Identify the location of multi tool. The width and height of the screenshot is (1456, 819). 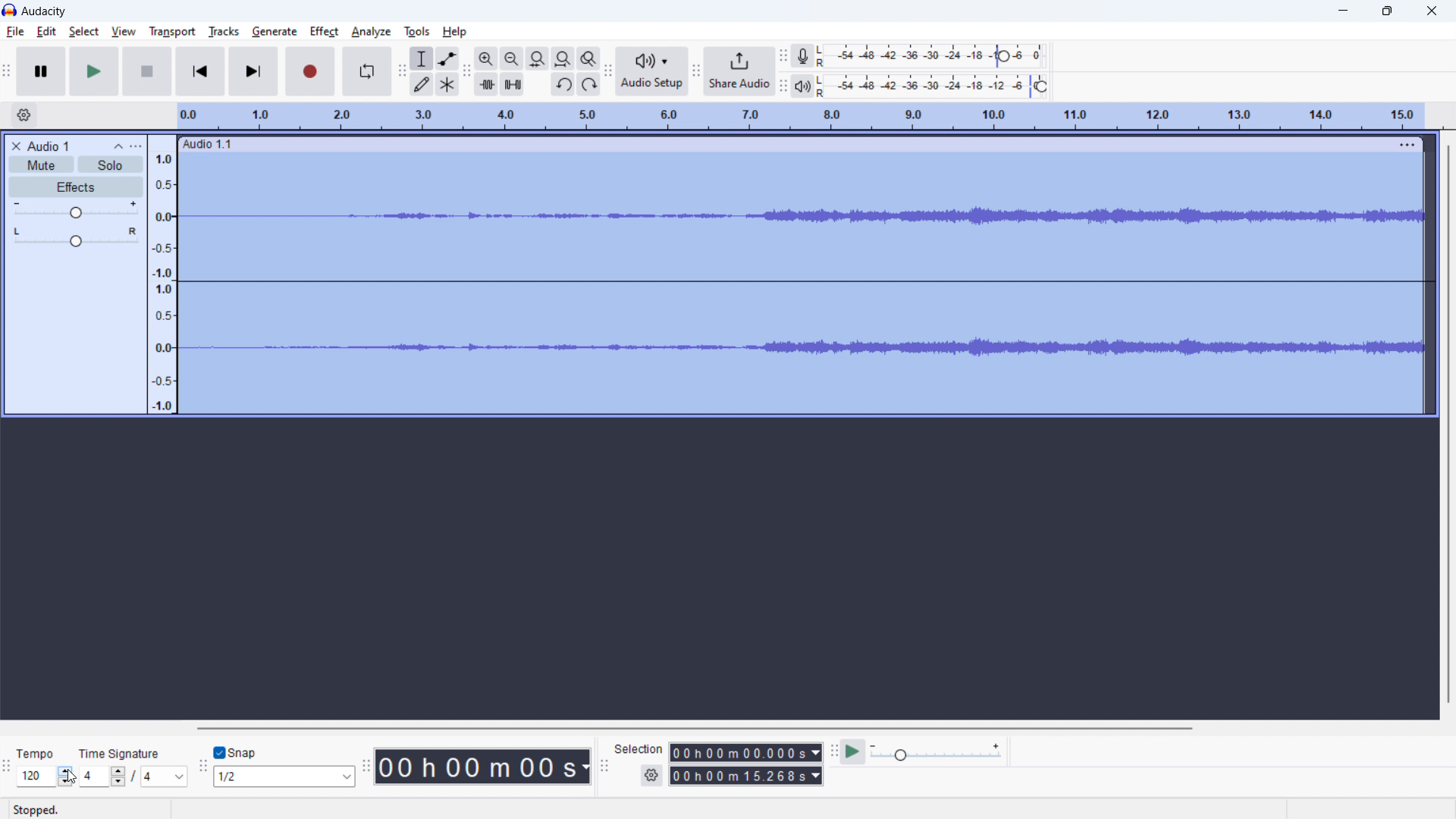
(448, 83).